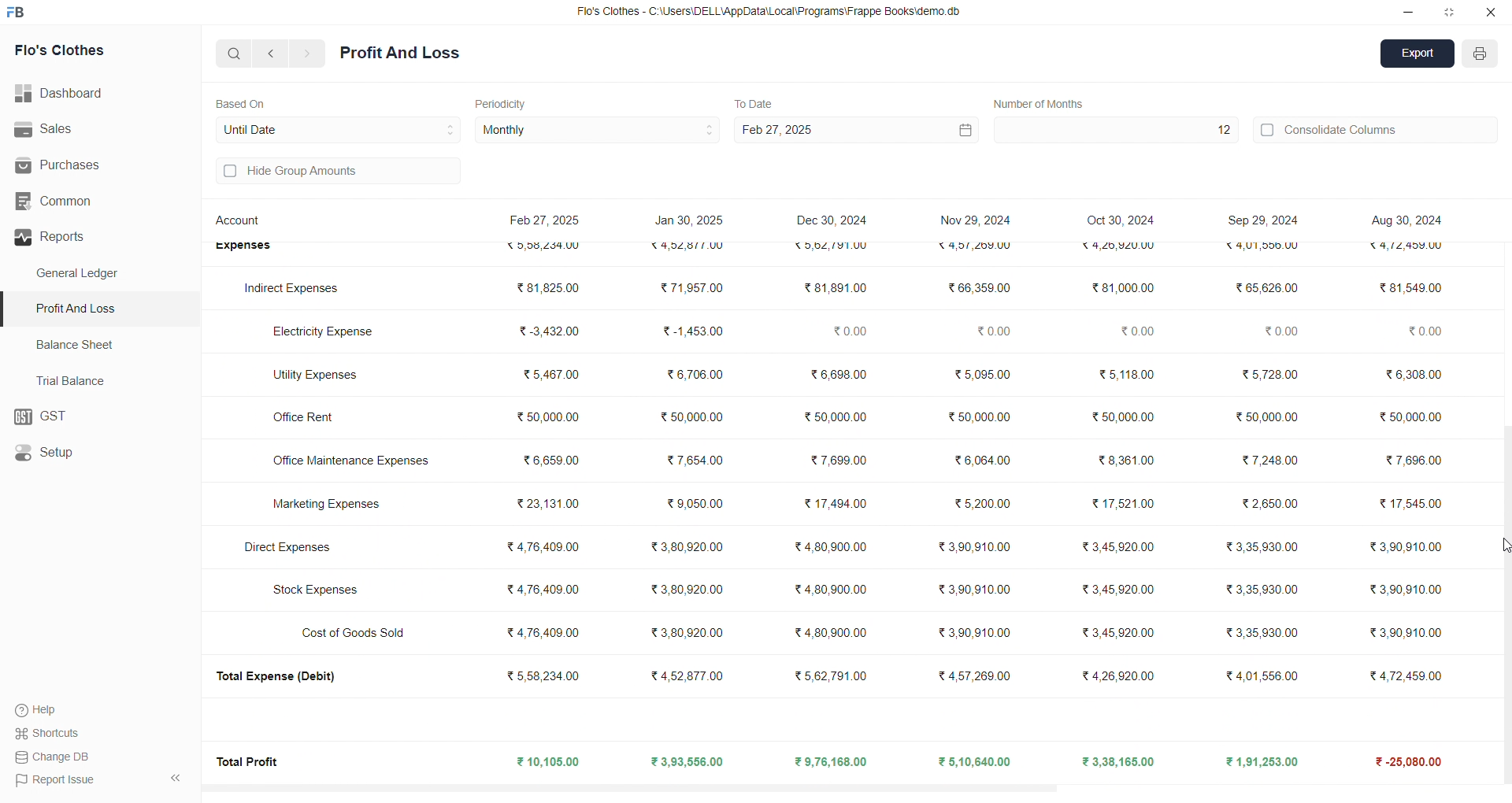  I want to click on ₹5,10,640.00, so click(976, 761).